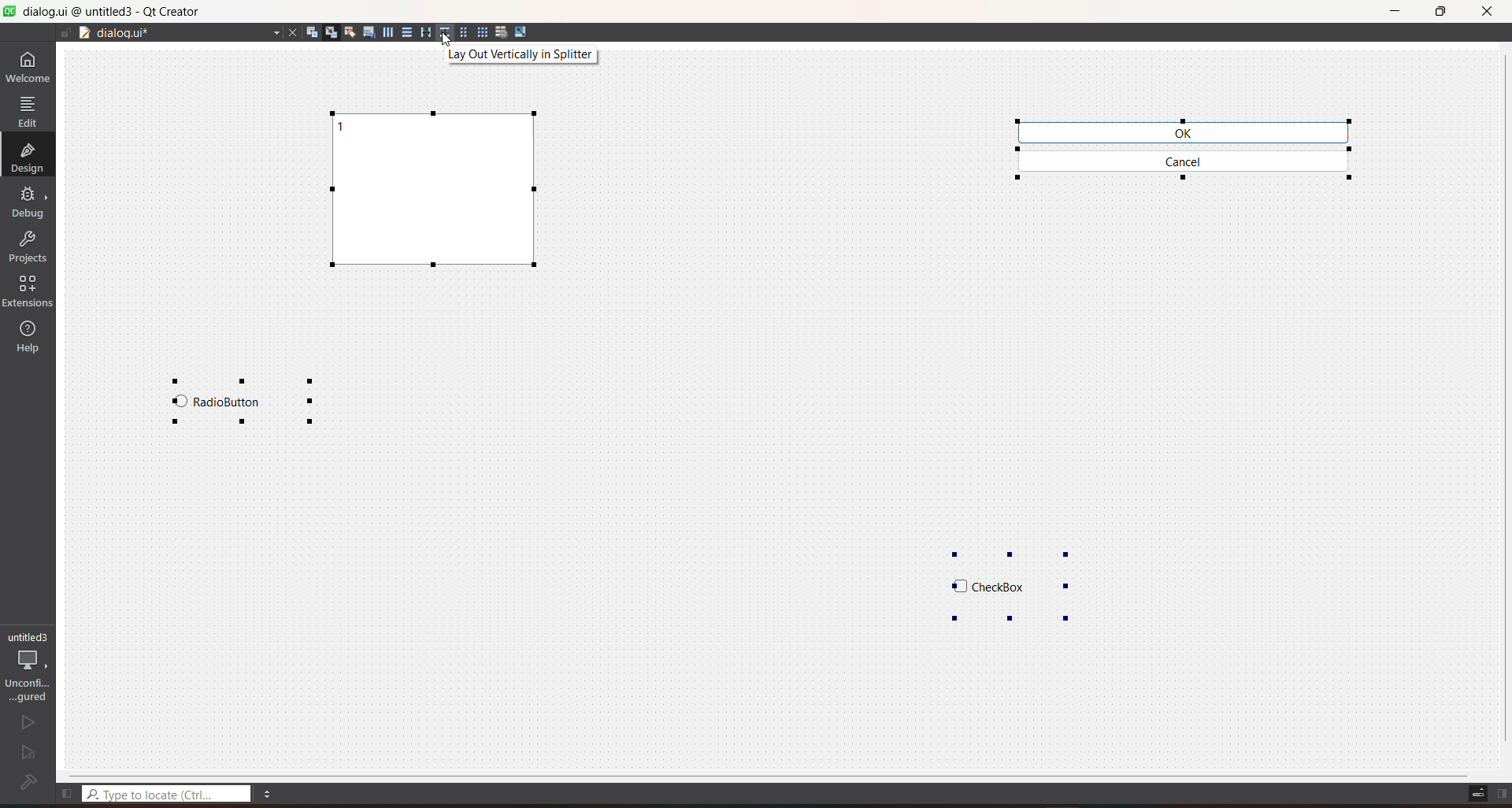 The image size is (1512, 808). Describe the element at coordinates (350, 34) in the screenshot. I see `edit buddies` at that location.